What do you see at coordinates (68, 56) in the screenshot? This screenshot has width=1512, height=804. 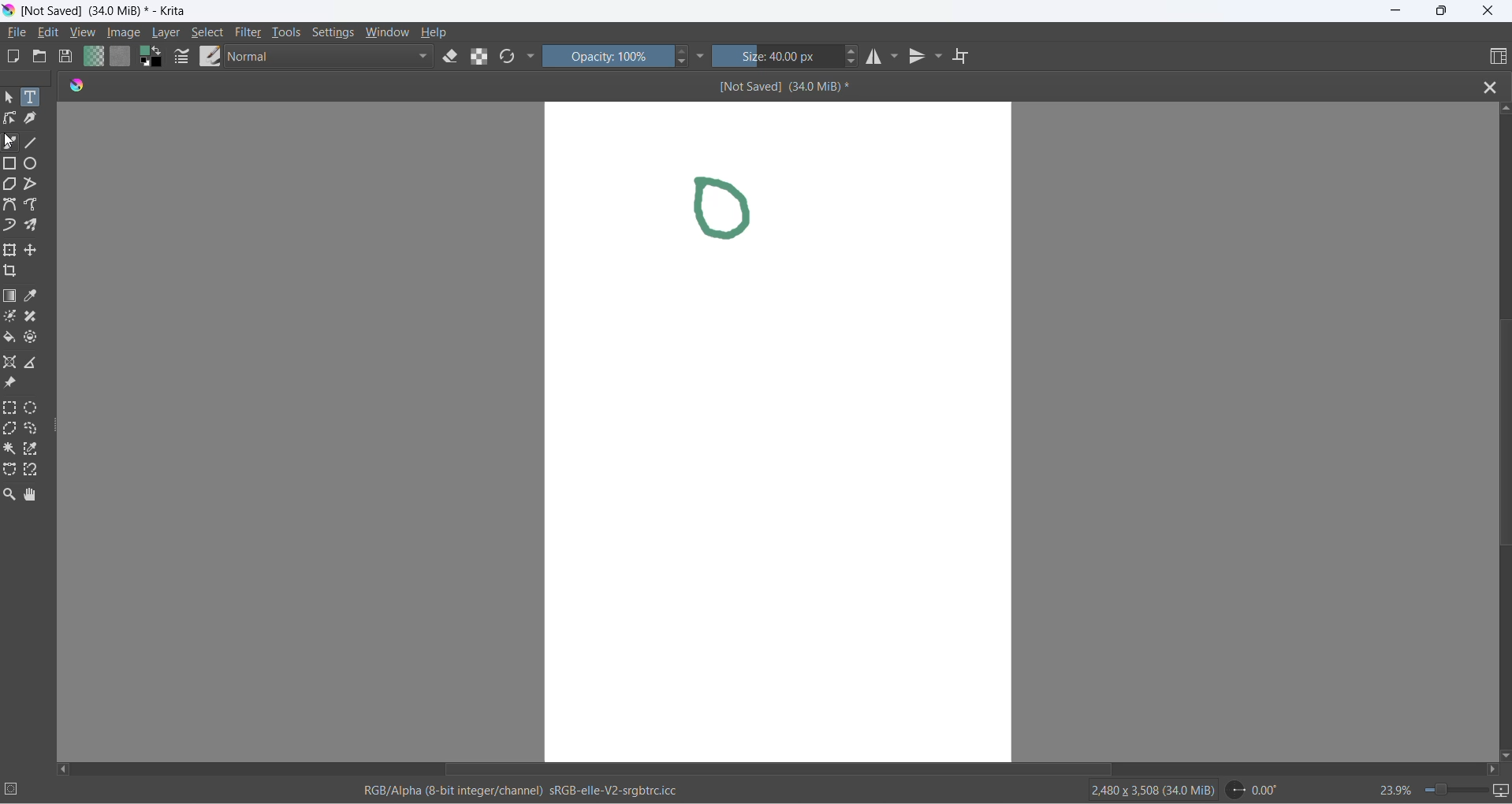 I see `save document` at bounding box center [68, 56].